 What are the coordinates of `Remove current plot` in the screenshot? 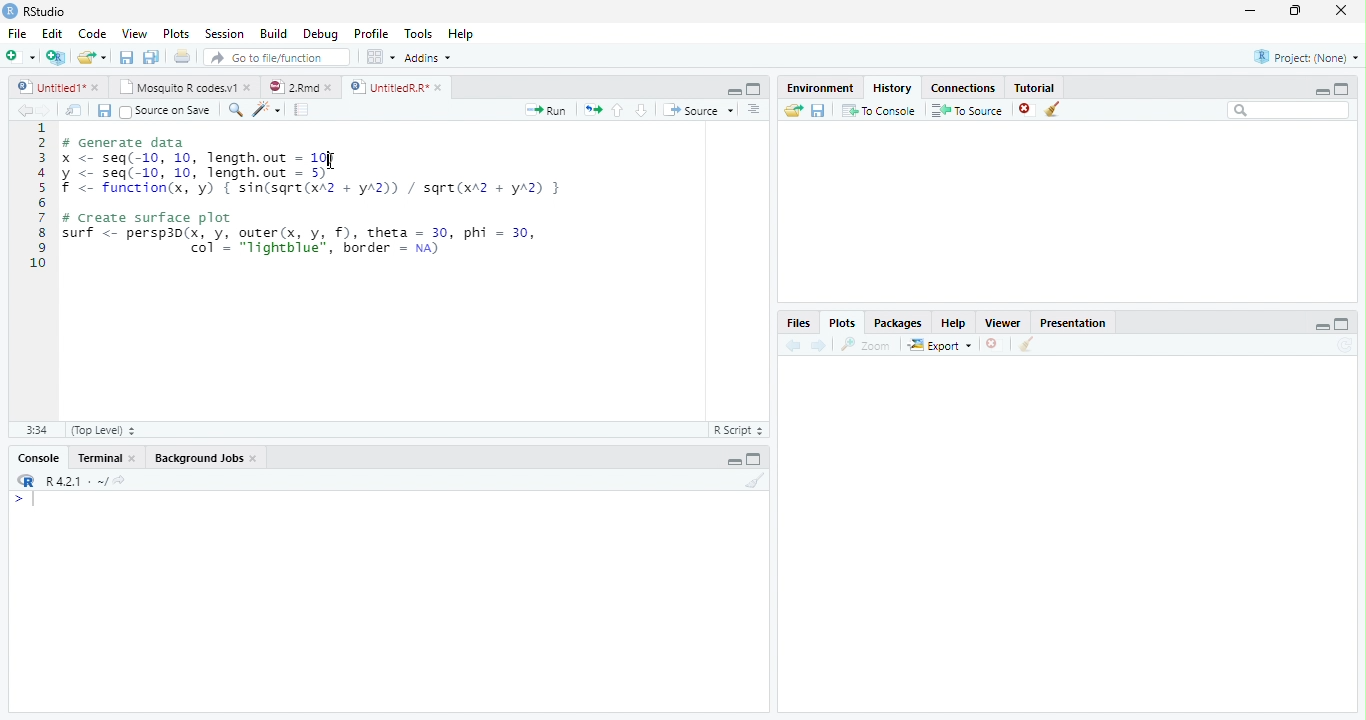 It's located at (996, 344).